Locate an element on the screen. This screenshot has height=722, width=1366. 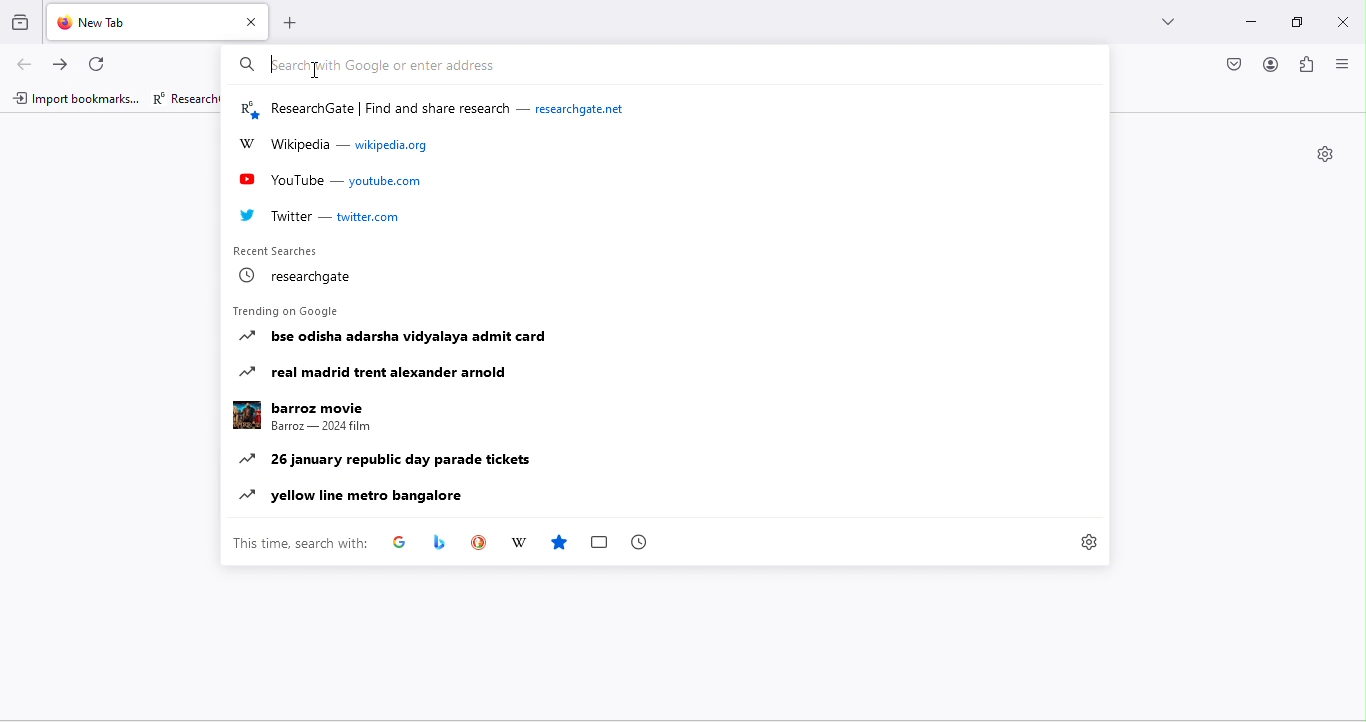
26 january republic day parade tickets is located at coordinates (385, 459).